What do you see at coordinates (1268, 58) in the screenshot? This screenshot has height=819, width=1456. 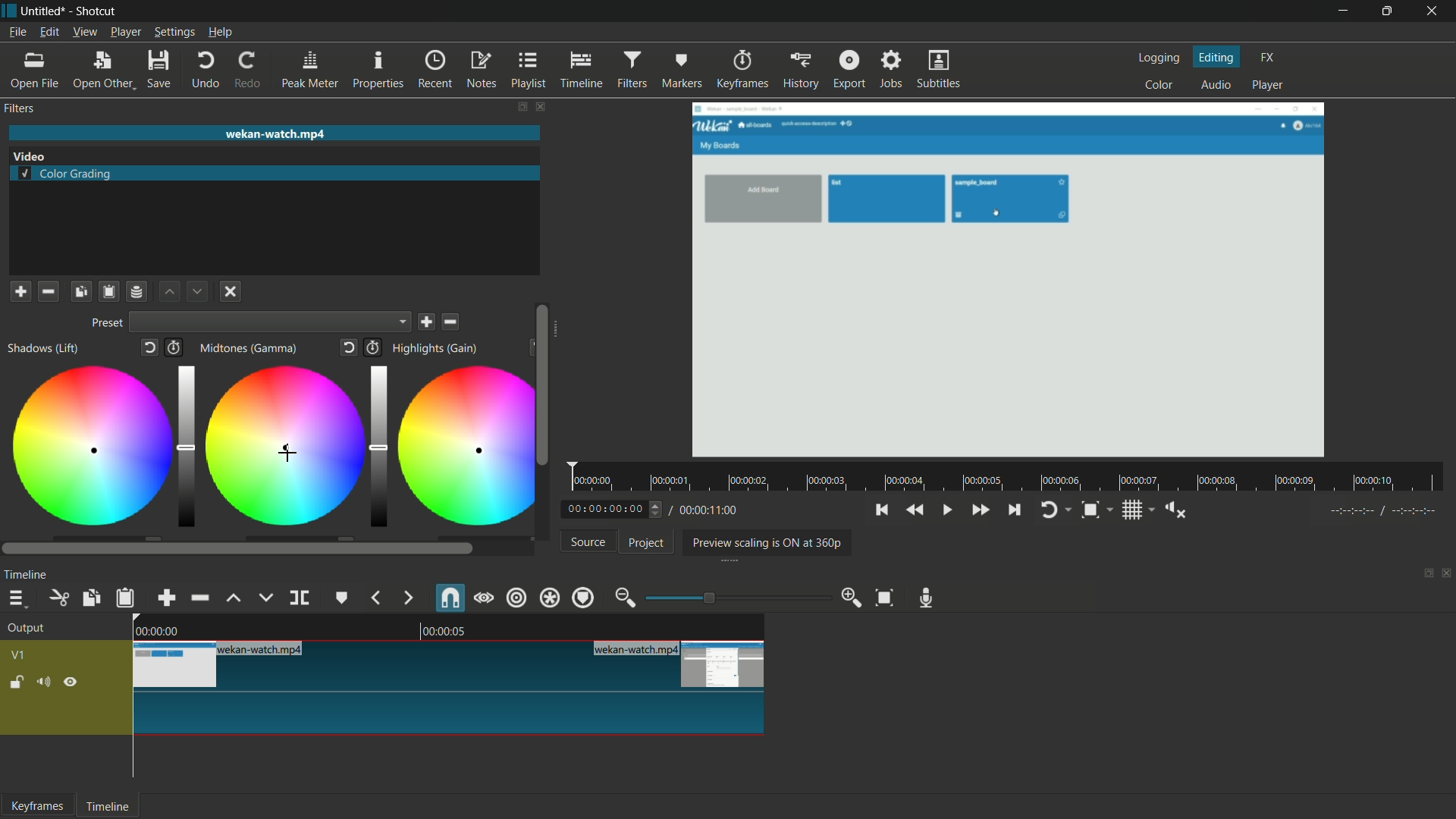 I see `fx` at bounding box center [1268, 58].